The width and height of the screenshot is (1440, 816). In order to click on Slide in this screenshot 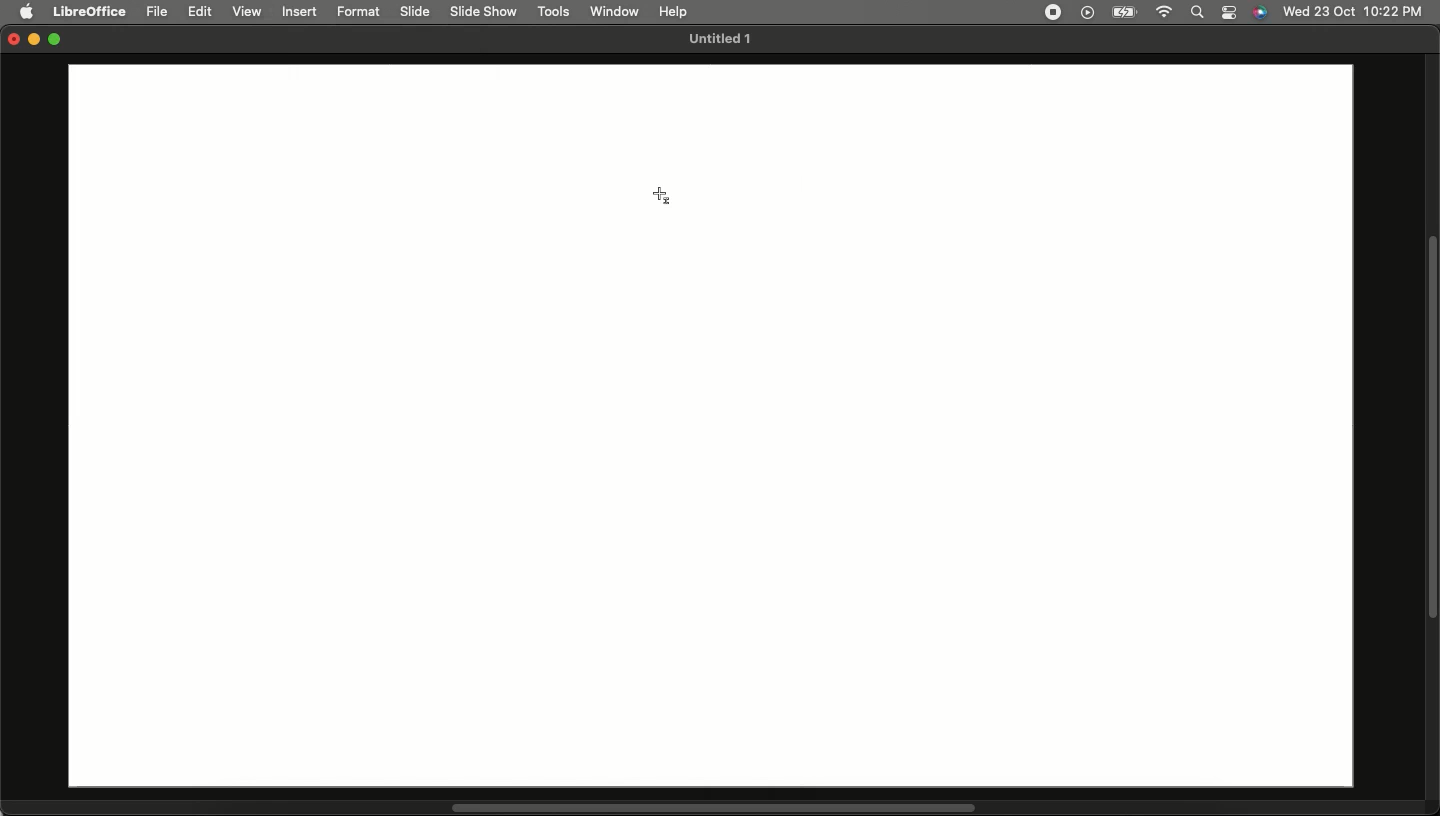, I will do `click(417, 12)`.